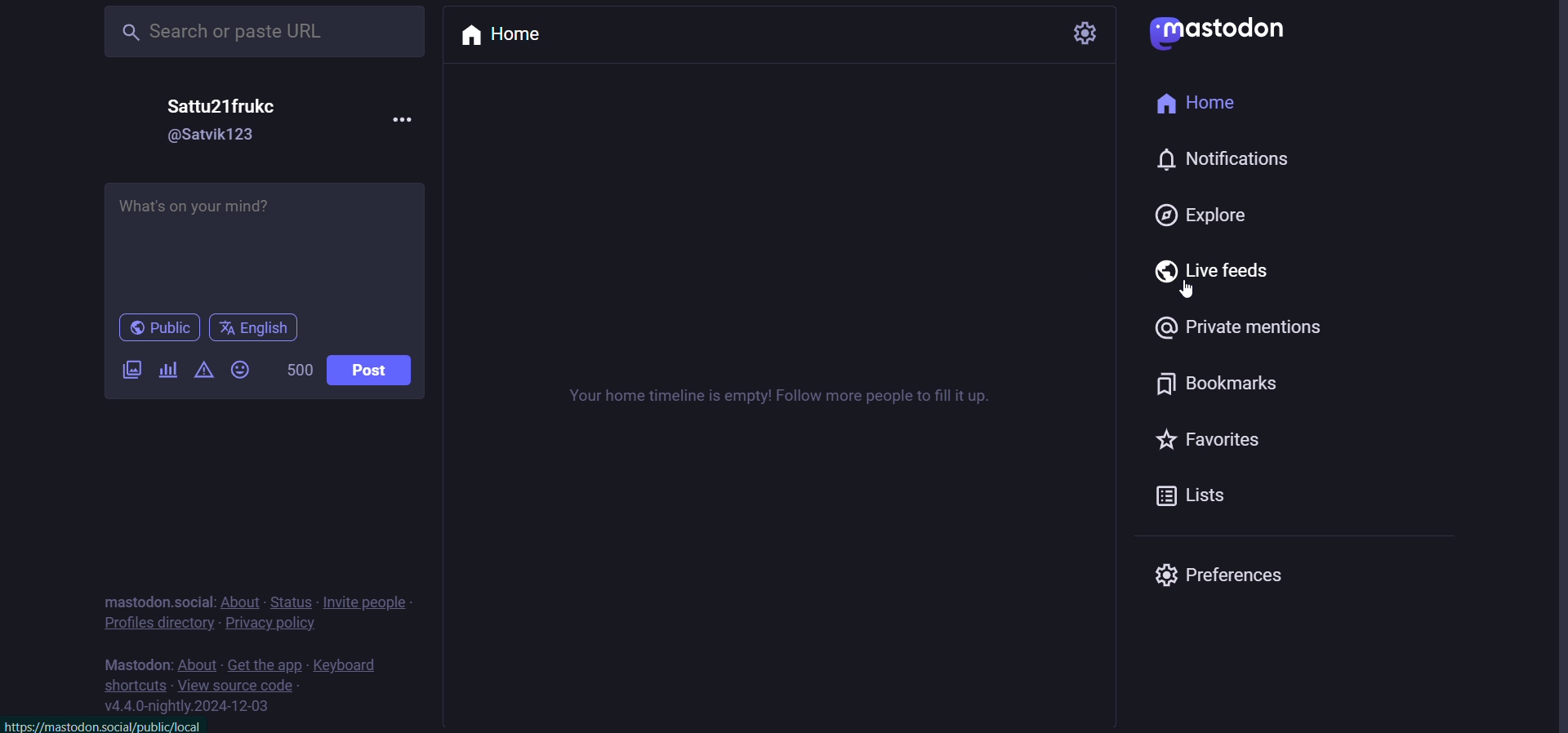 The height and width of the screenshot is (733, 1568). Describe the element at coordinates (205, 372) in the screenshot. I see `content warning` at that location.